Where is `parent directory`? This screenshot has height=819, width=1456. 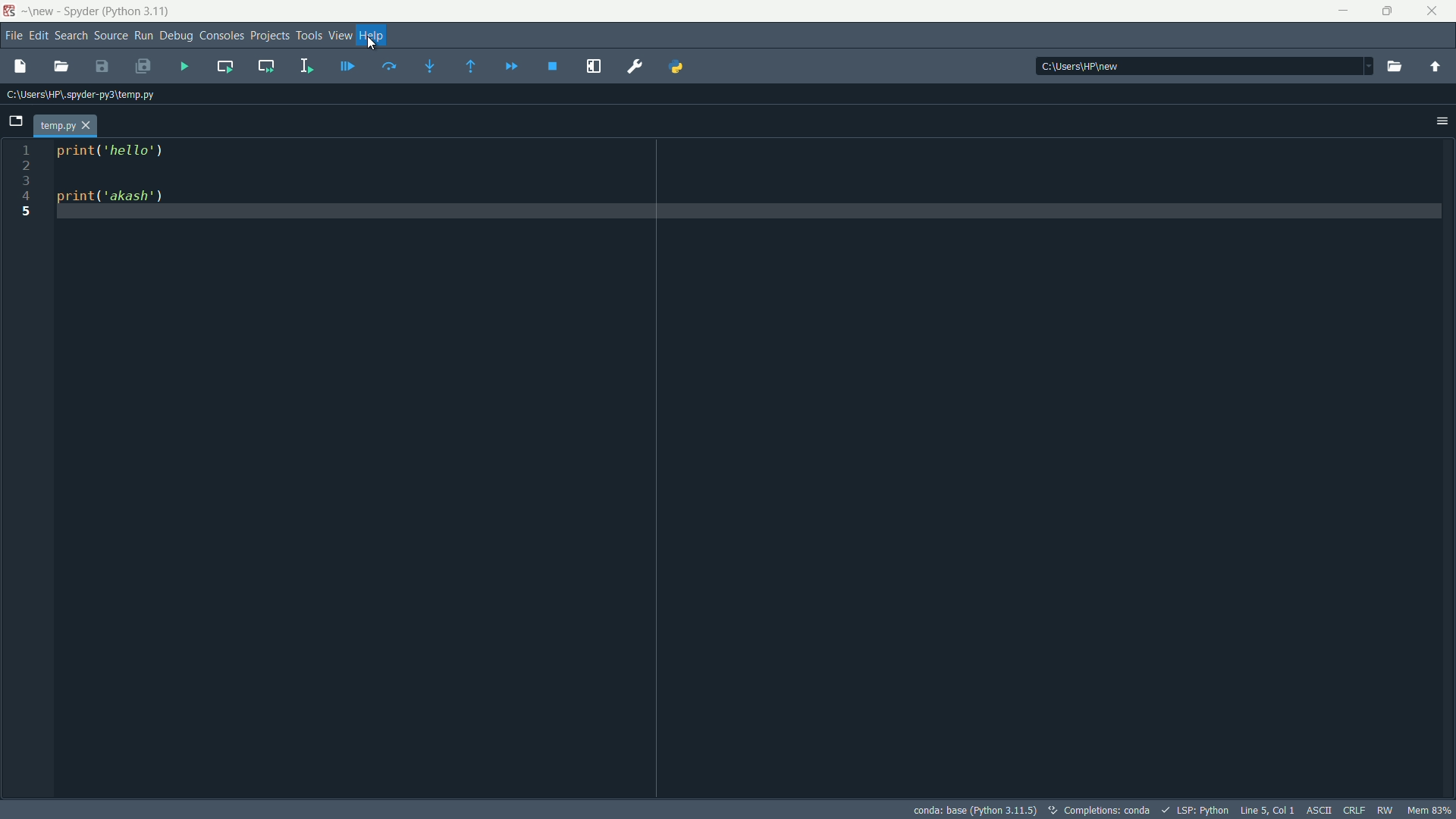
parent directory is located at coordinates (1435, 67).